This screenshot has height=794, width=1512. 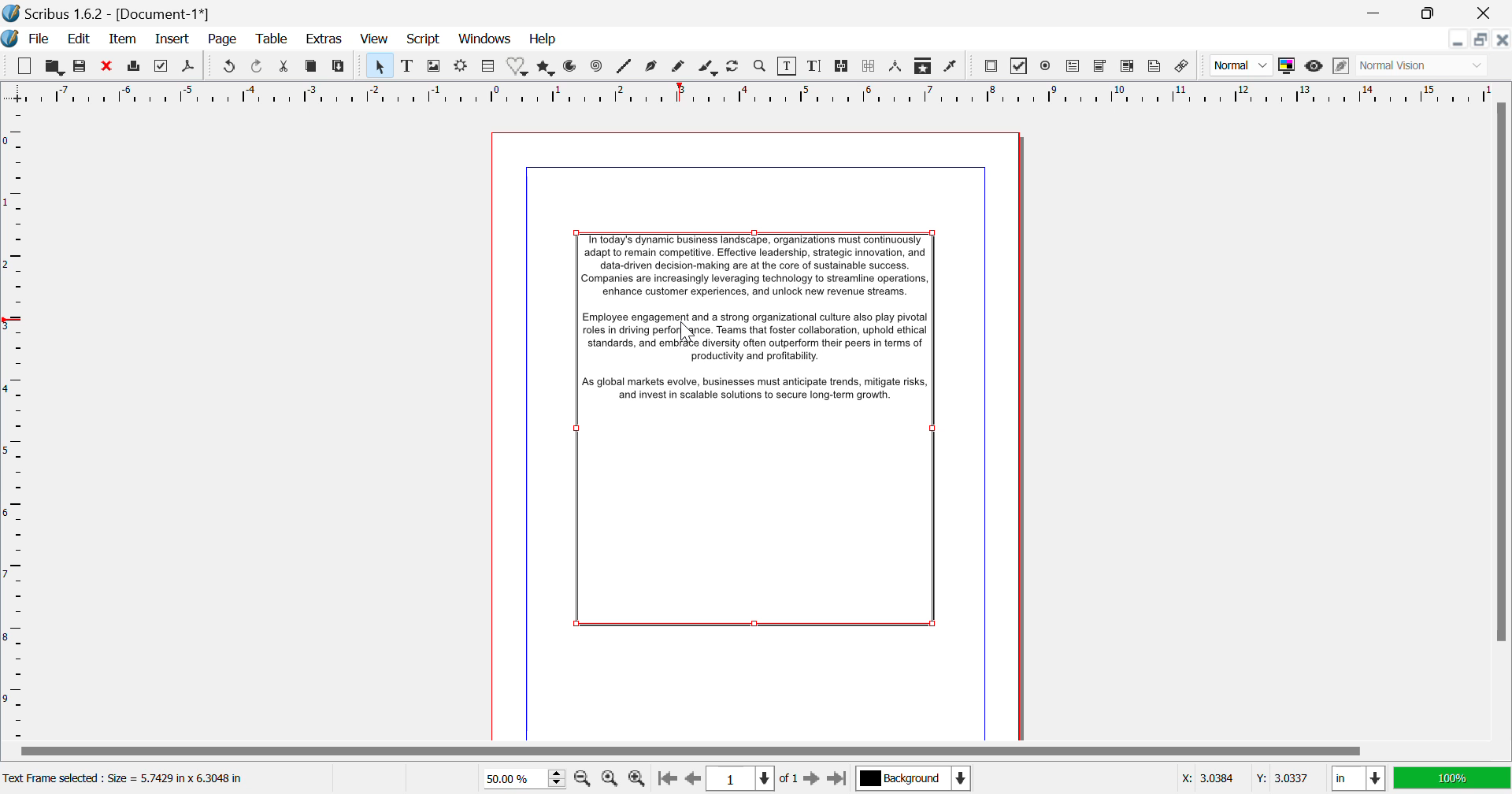 What do you see at coordinates (787, 66) in the screenshot?
I see `Edit Content in Frames` at bounding box center [787, 66].